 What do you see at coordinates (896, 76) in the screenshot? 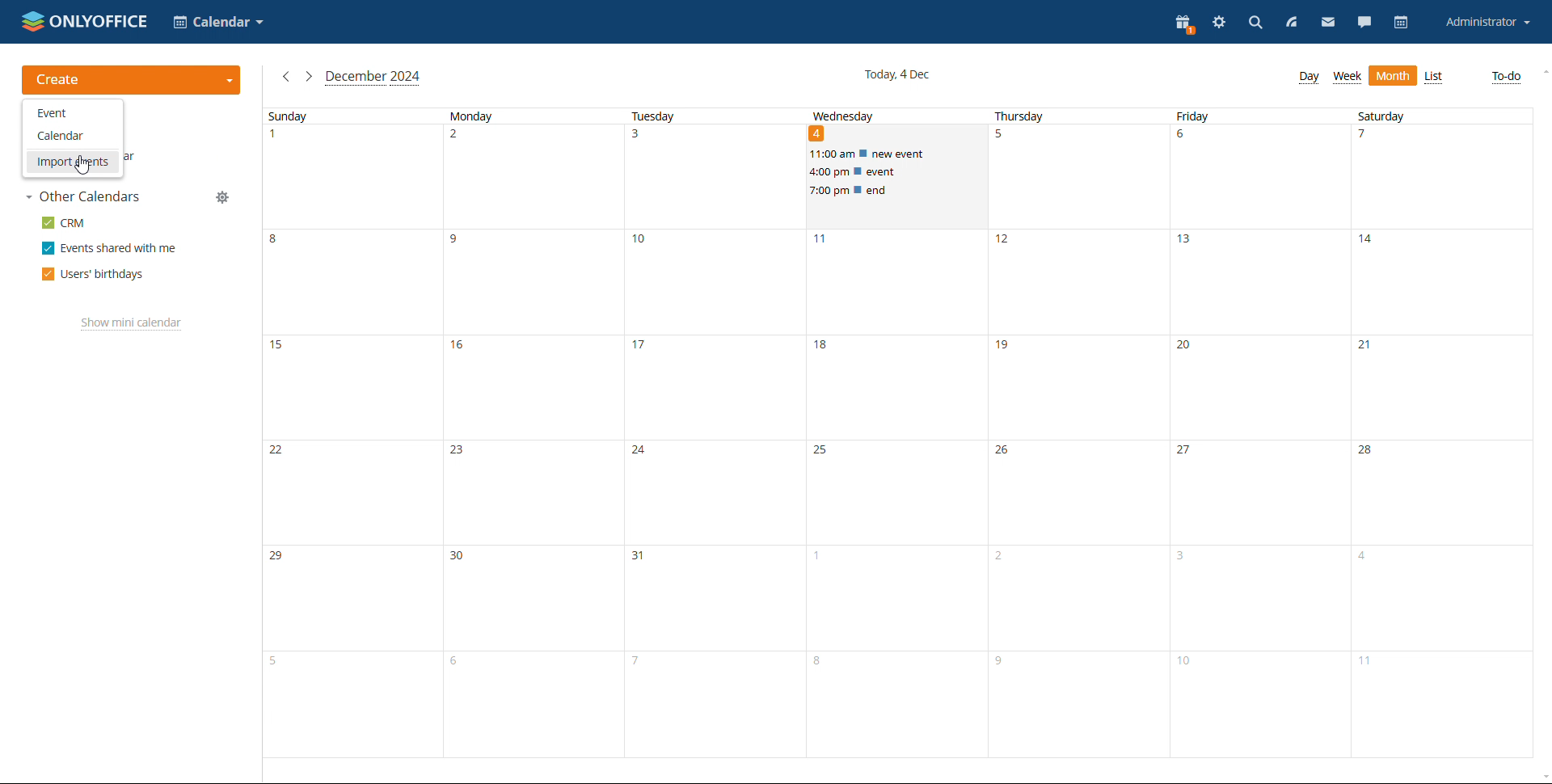
I see `current date` at bounding box center [896, 76].